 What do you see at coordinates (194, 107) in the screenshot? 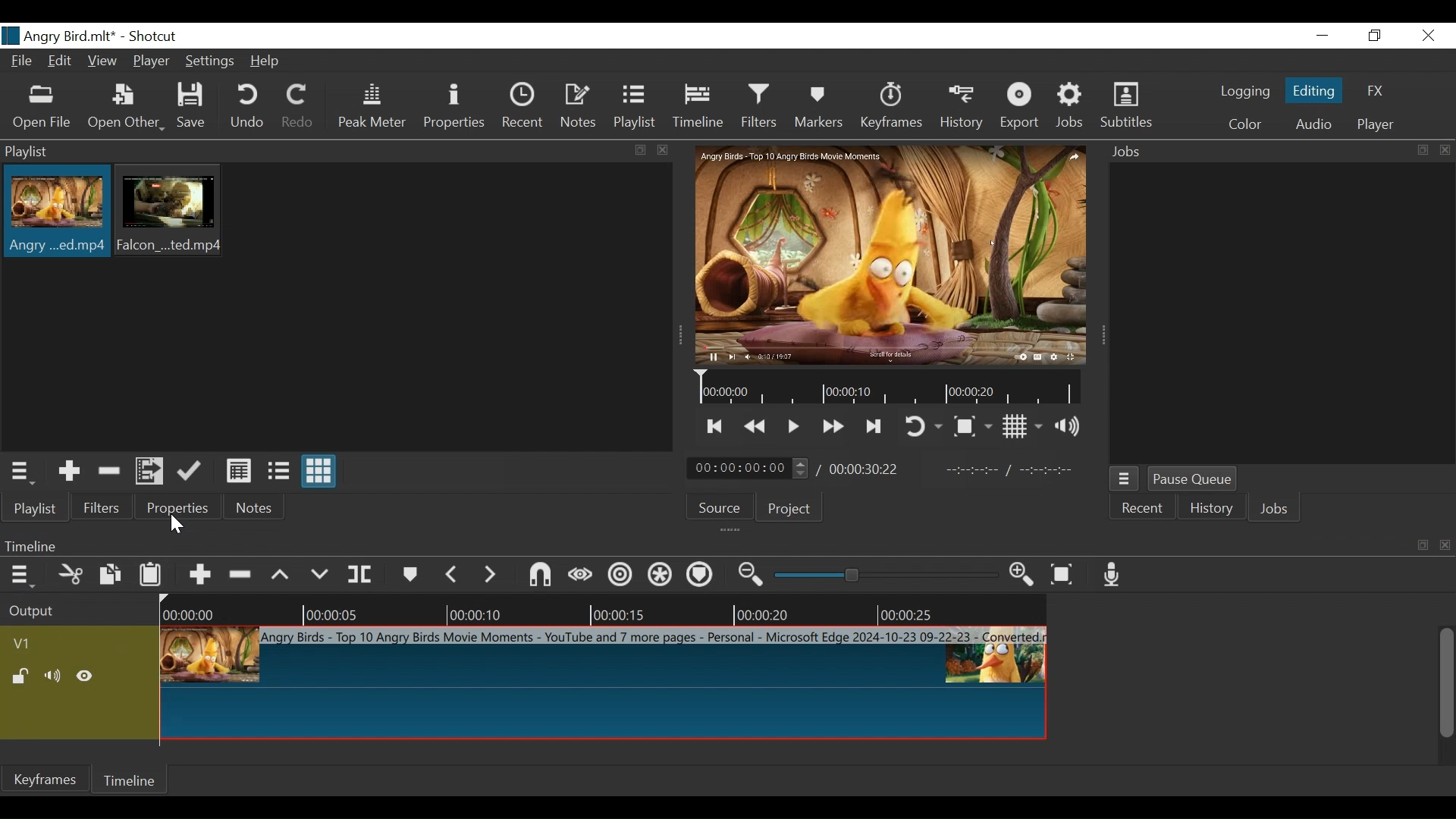
I see `Save` at bounding box center [194, 107].